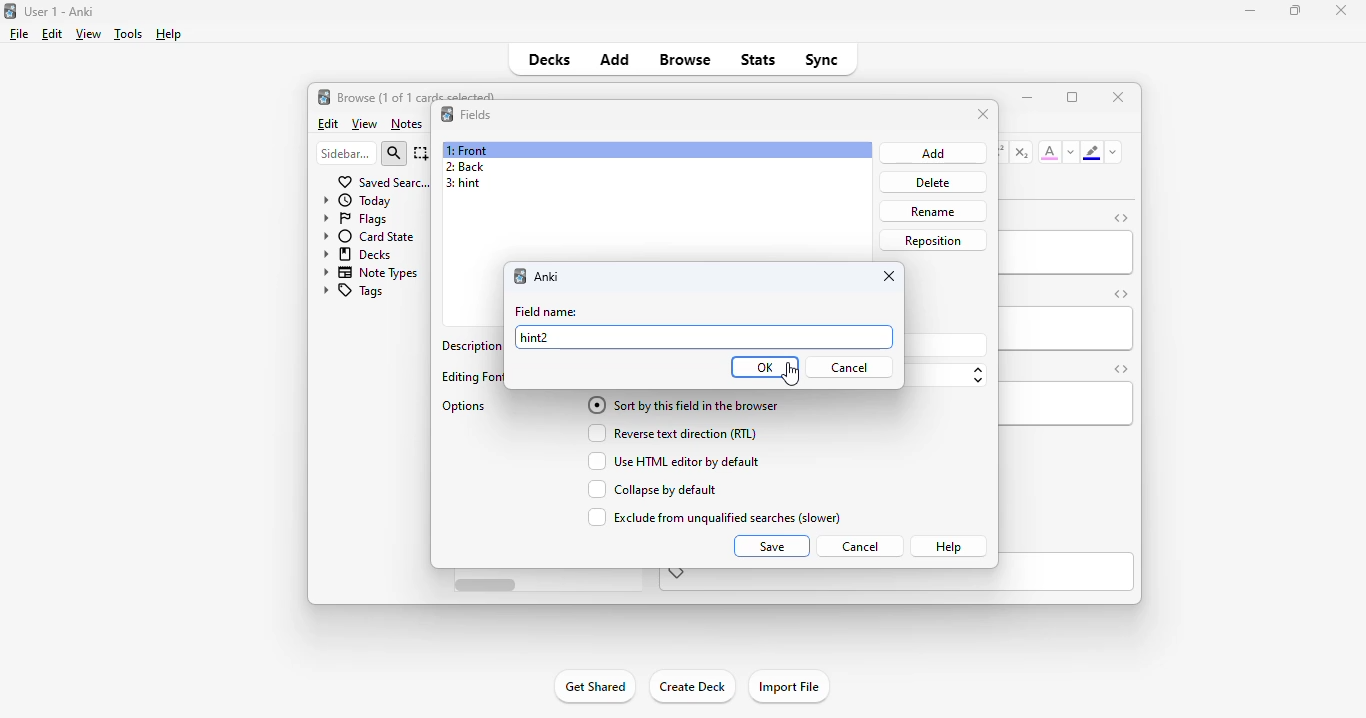 Image resolution: width=1366 pixels, height=718 pixels. I want to click on delete, so click(933, 183).